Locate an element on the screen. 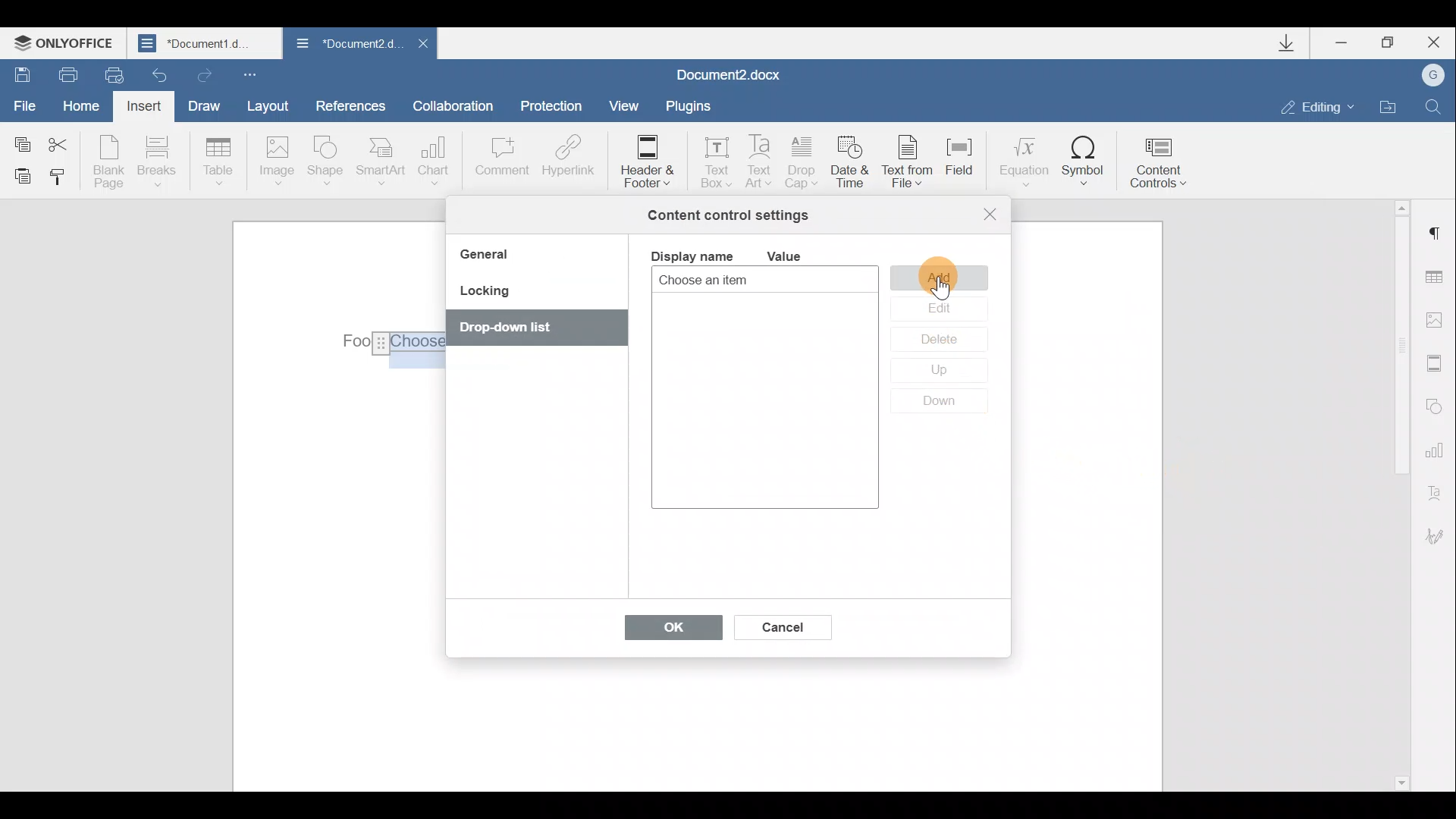 This screenshot has width=1456, height=819. Close is located at coordinates (1432, 42).